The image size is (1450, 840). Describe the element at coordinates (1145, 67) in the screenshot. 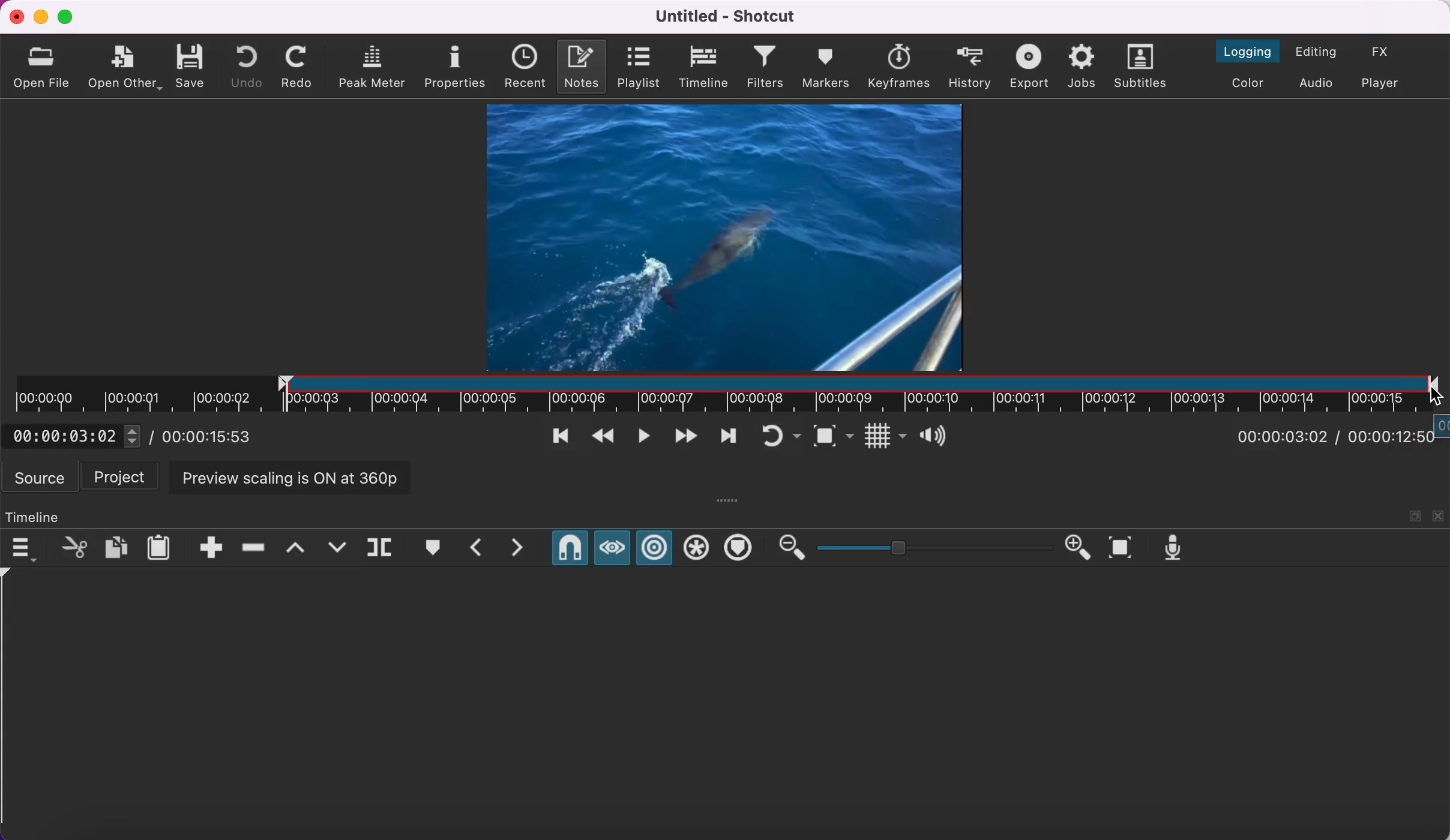

I see `subtitles` at that location.